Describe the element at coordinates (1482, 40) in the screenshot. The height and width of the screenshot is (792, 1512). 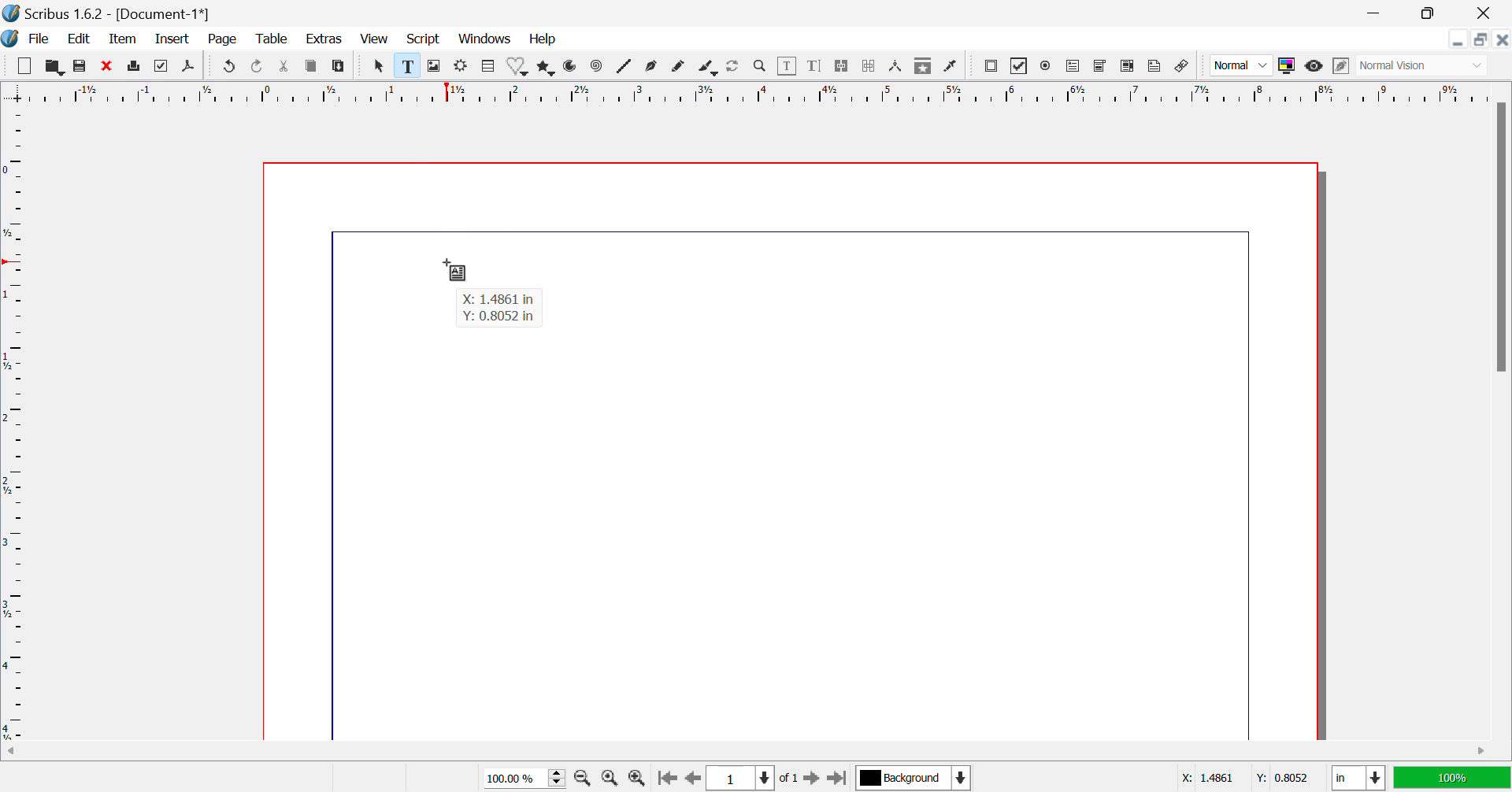
I see `Minimize` at that location.